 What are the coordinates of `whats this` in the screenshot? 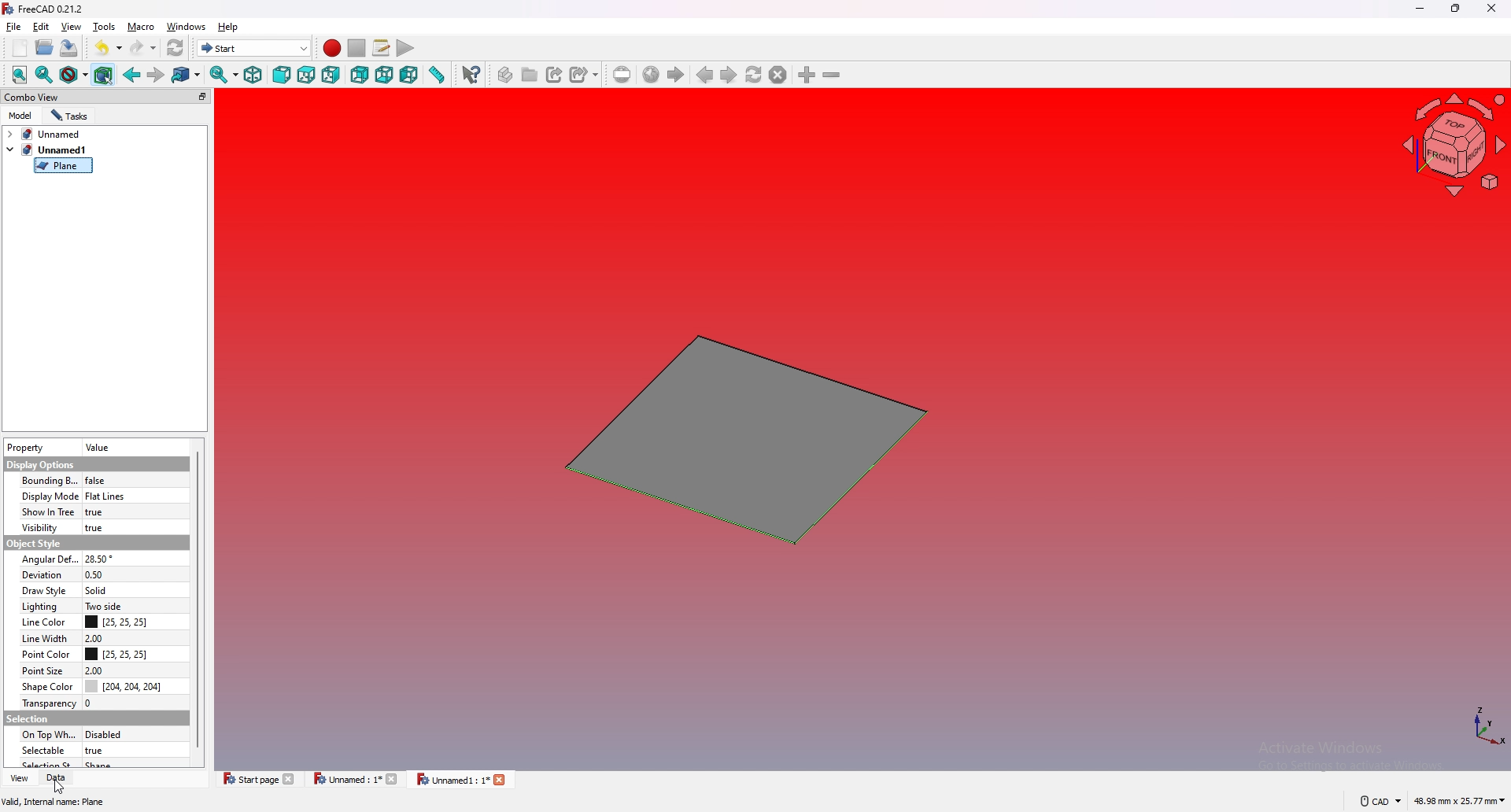 It's located at (471, 75).